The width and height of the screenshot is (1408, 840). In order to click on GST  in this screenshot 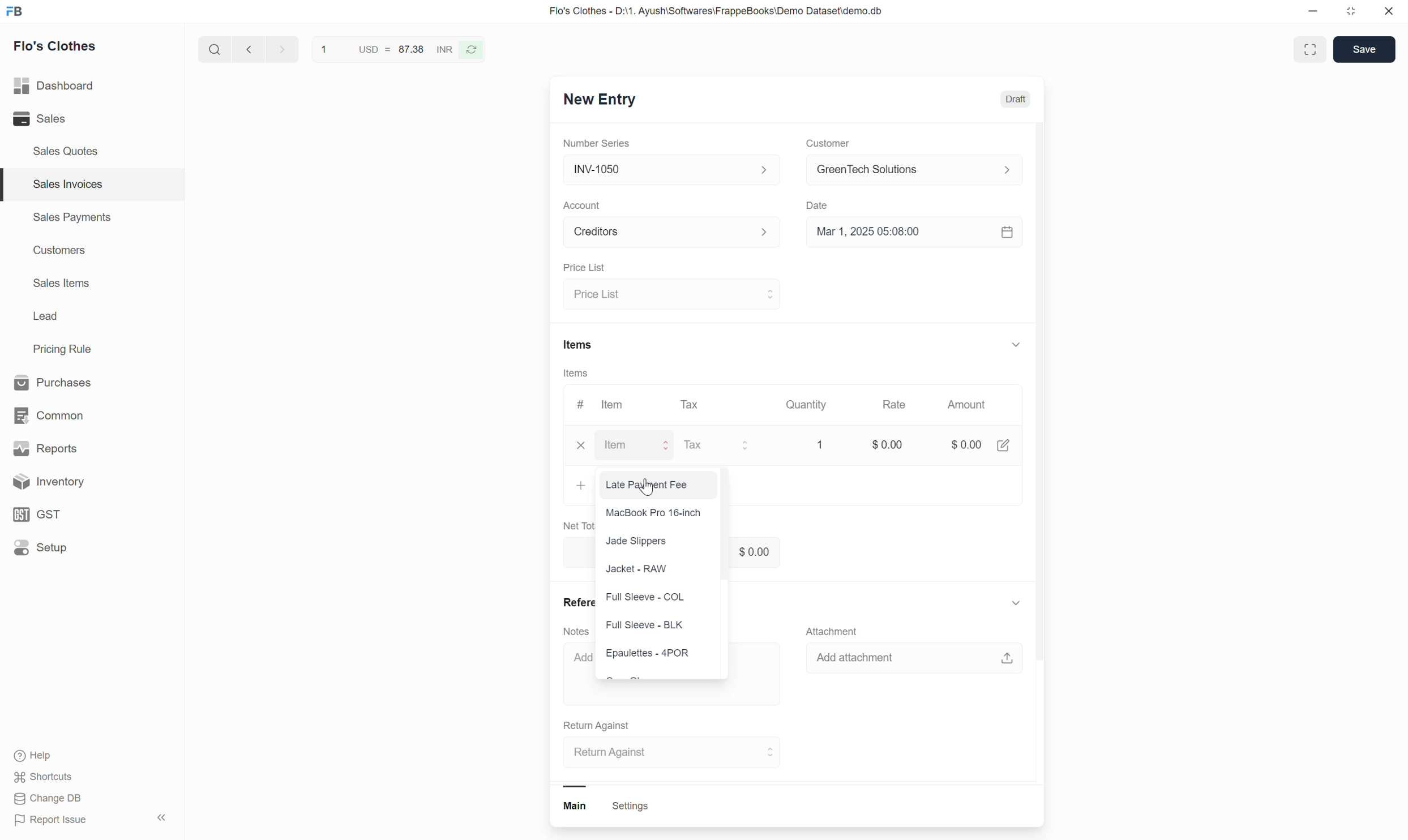, I will do `click(79, 513)`.